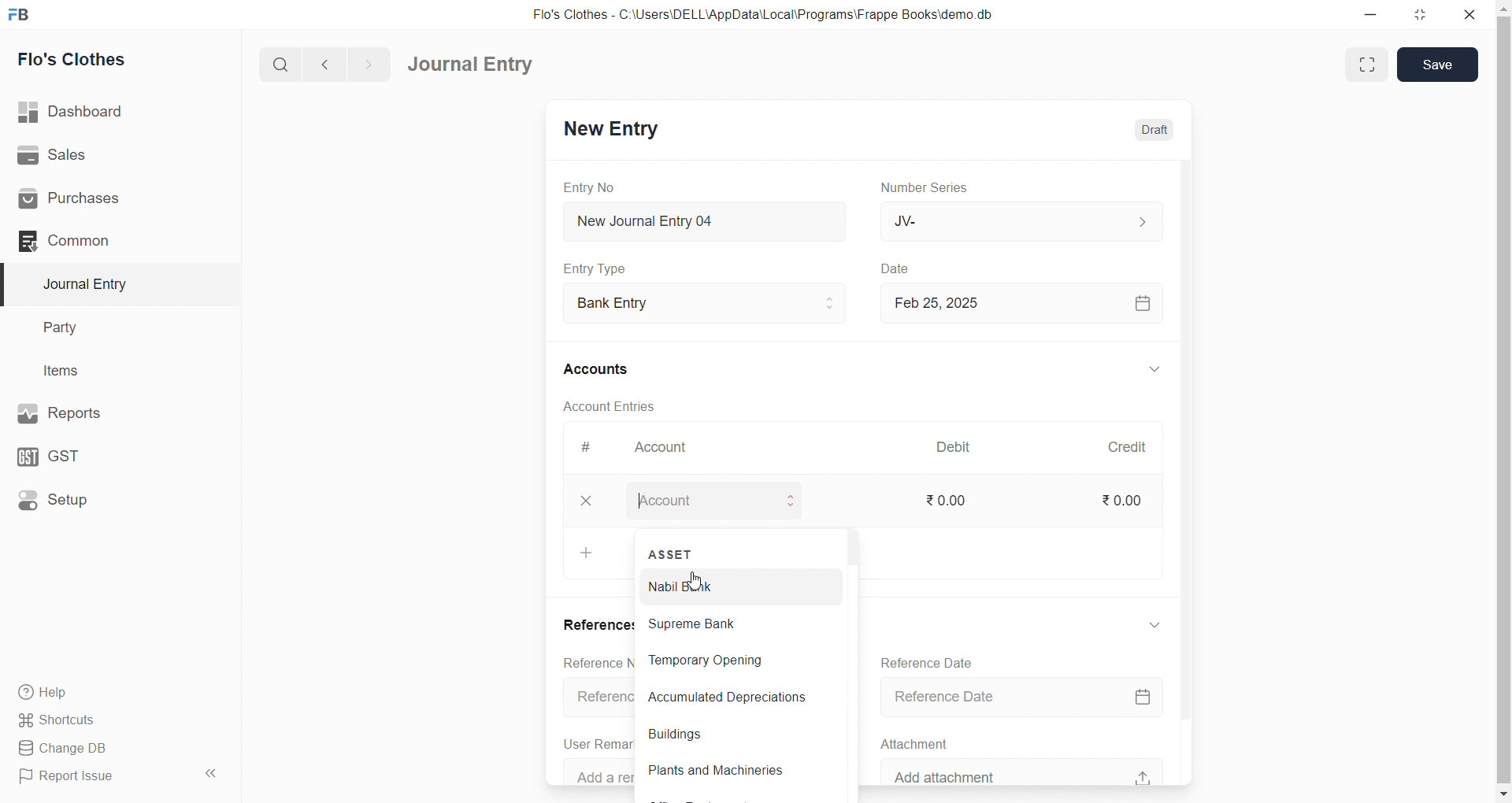 This screenshot has height=803, width=1512. What do you see at coordinates (591, 624) in the screenshot?
I see `References` at bounding box center [591, 624].